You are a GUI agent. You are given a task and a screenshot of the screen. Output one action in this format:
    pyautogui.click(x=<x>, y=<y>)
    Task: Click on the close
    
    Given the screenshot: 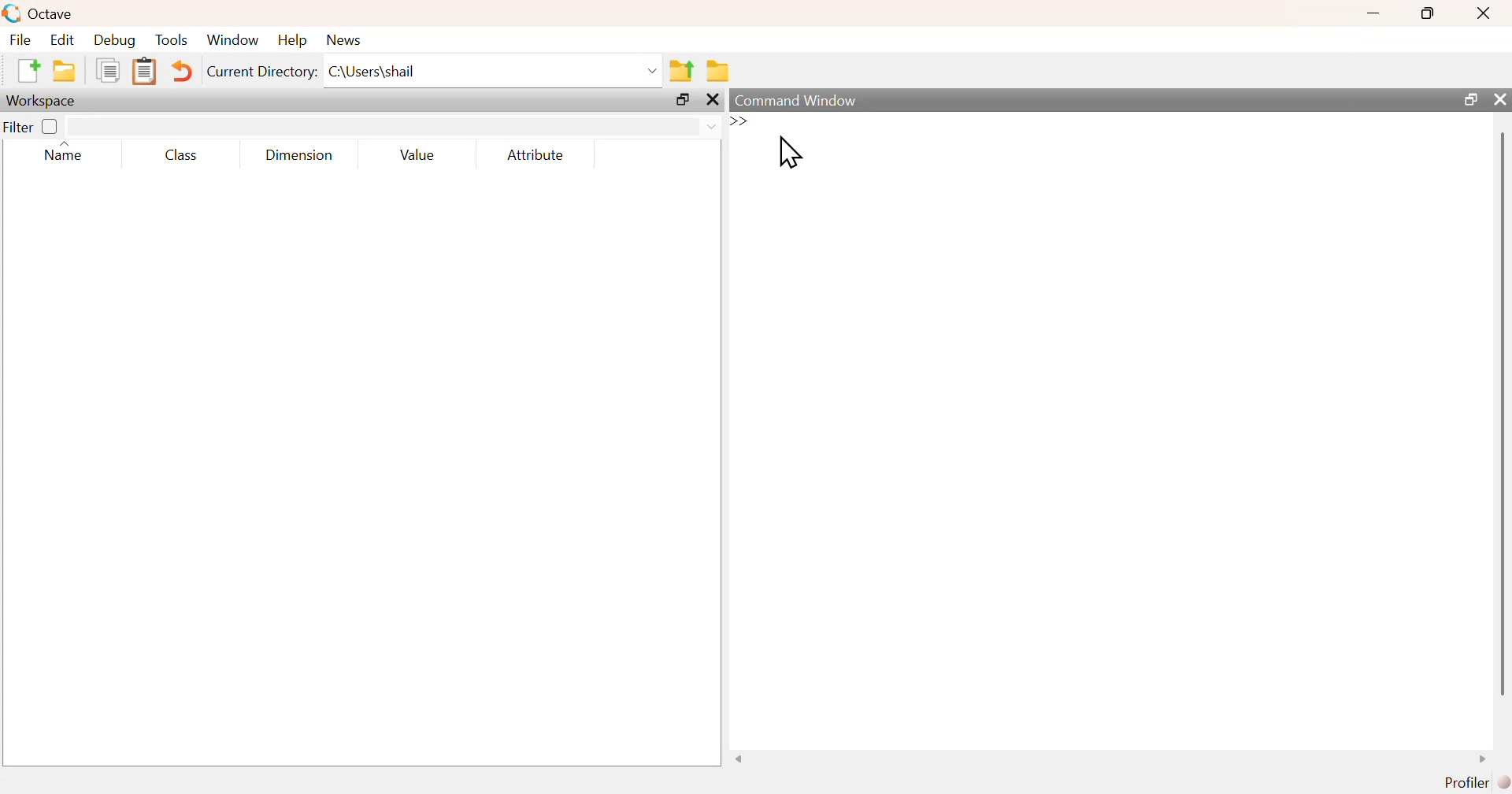 What is the action you would take?
    pyautogui.click(x=1486, y=13)
    